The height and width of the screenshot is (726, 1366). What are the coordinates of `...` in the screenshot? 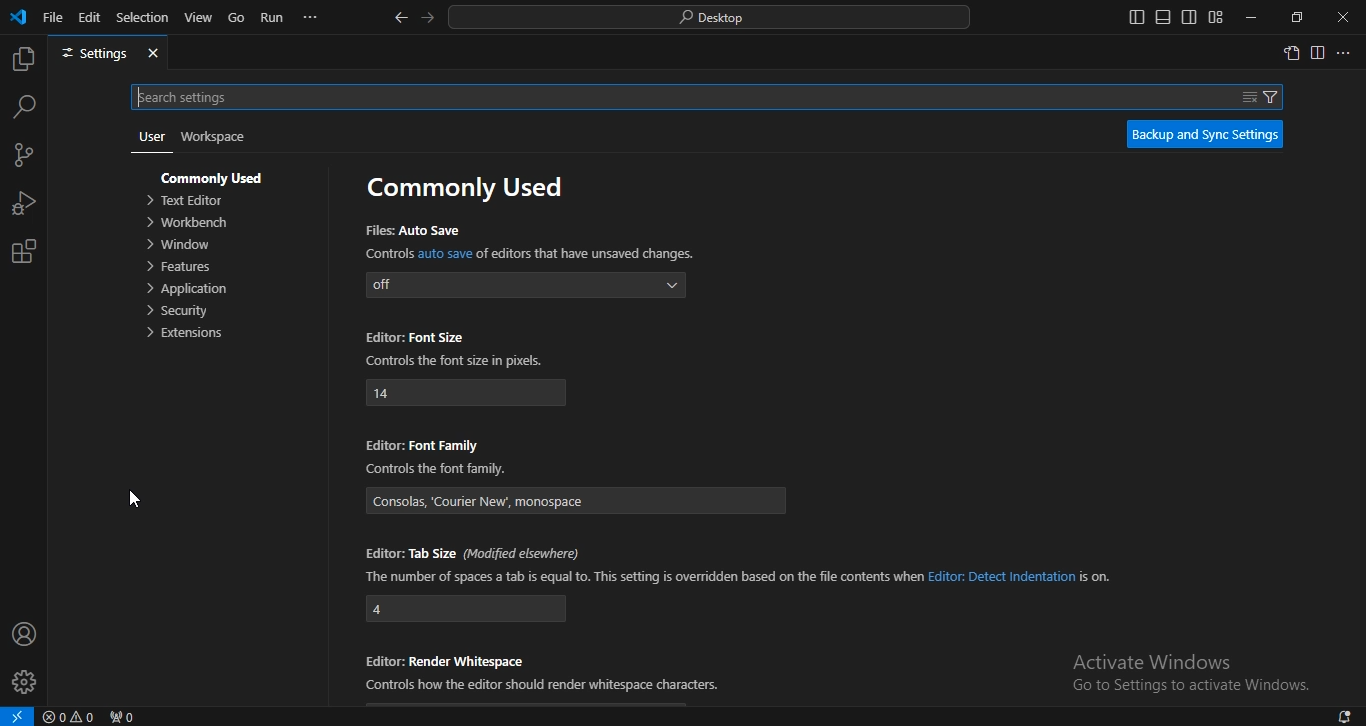 It's located at (313, 18).